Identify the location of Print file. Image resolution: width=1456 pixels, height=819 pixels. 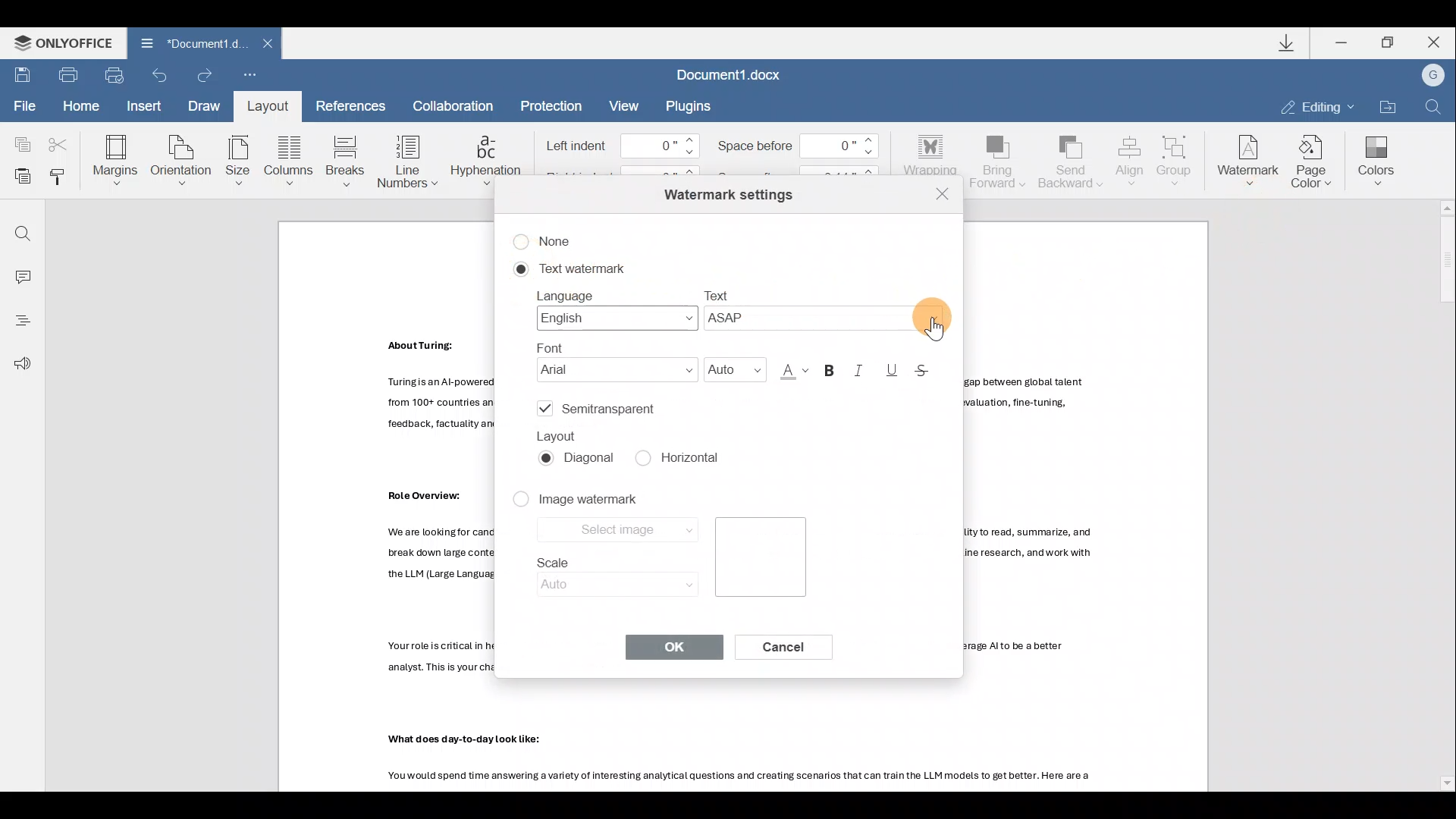
(64, 76).